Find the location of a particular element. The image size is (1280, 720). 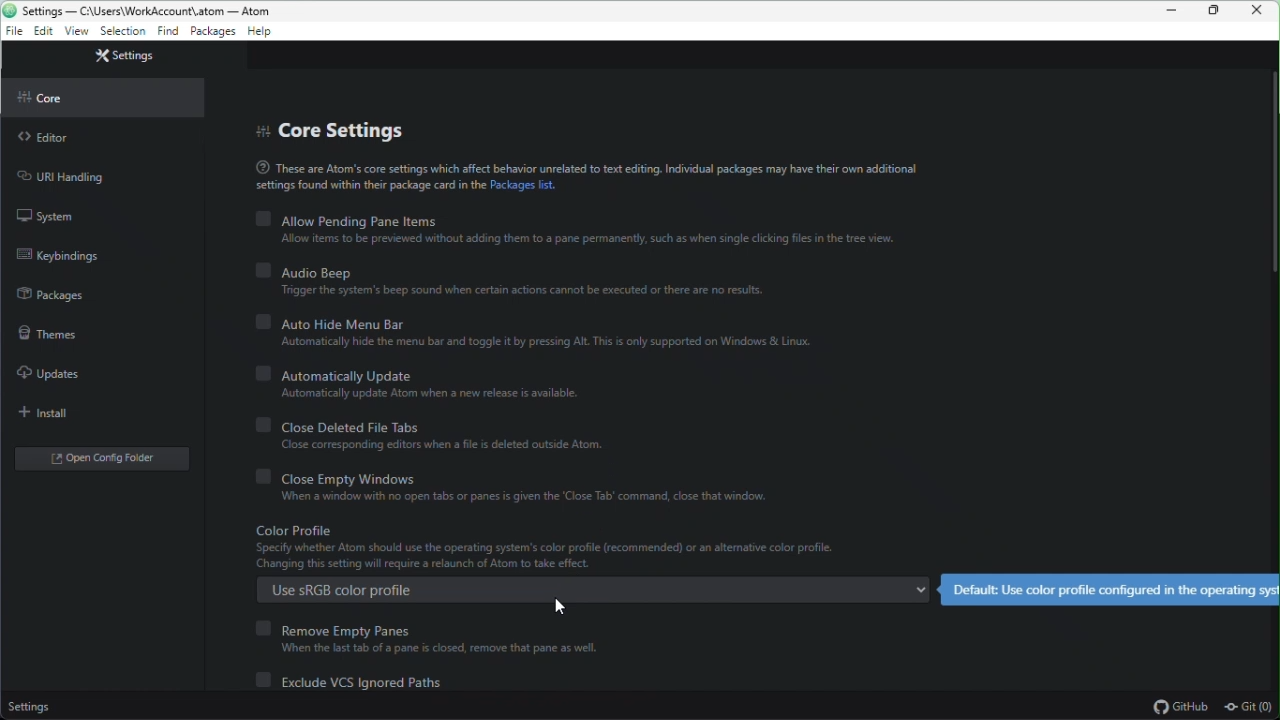

view is located at coordinates (76, 32).